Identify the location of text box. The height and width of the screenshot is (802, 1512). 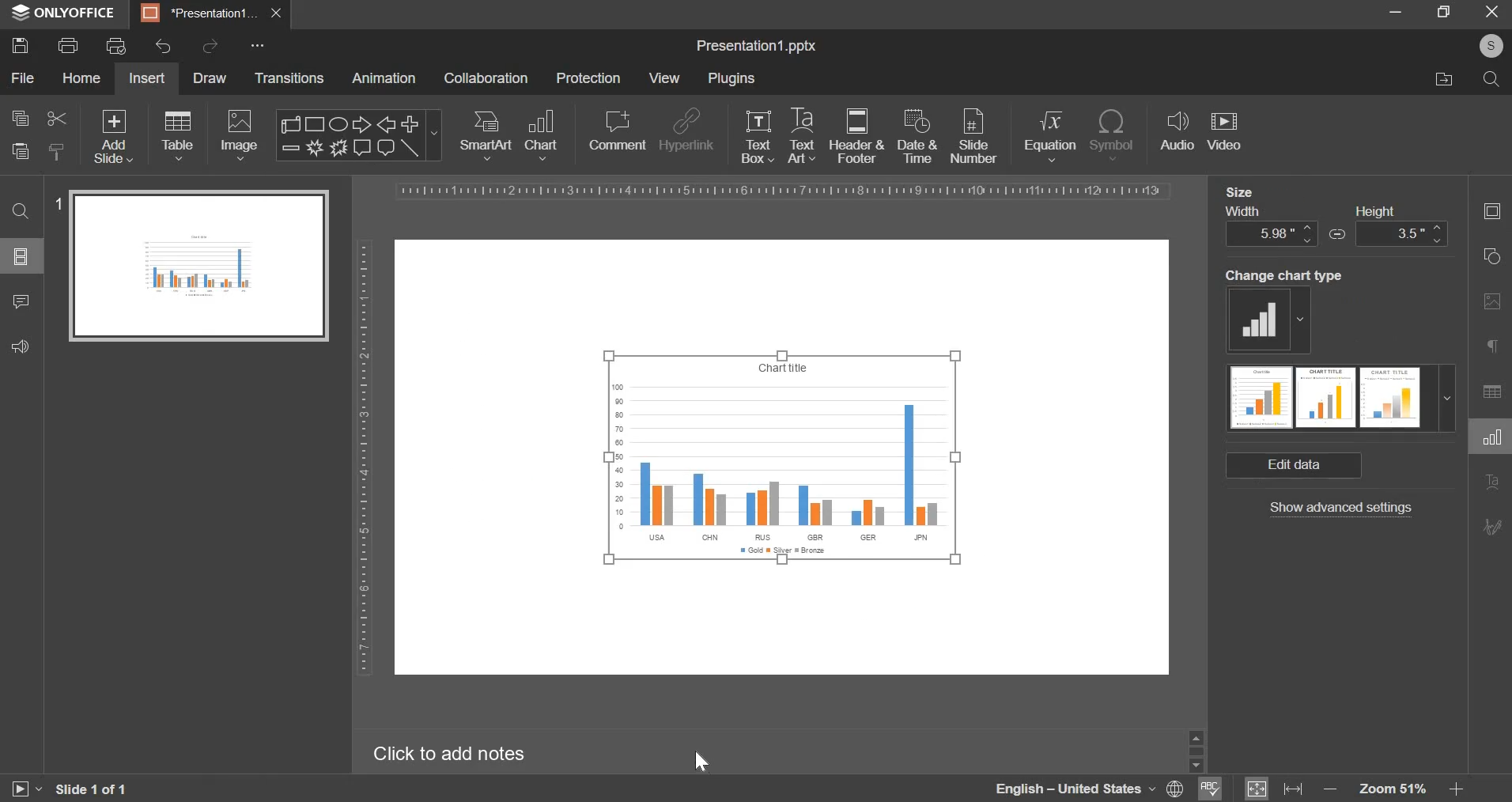
(758, 137).